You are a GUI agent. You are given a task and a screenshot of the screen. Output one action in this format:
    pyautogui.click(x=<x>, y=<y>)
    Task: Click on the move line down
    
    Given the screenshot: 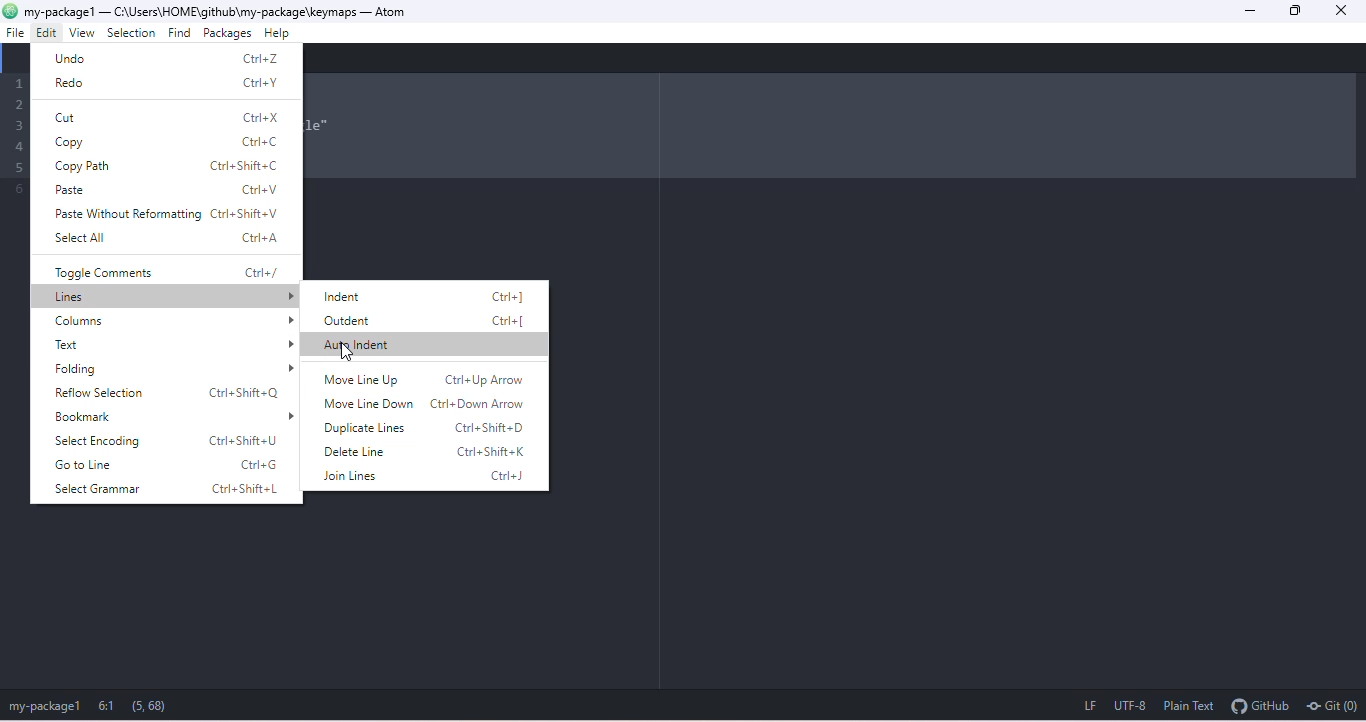 What is the action you would take?
    pyautogui.click(x=430, y=403)
    